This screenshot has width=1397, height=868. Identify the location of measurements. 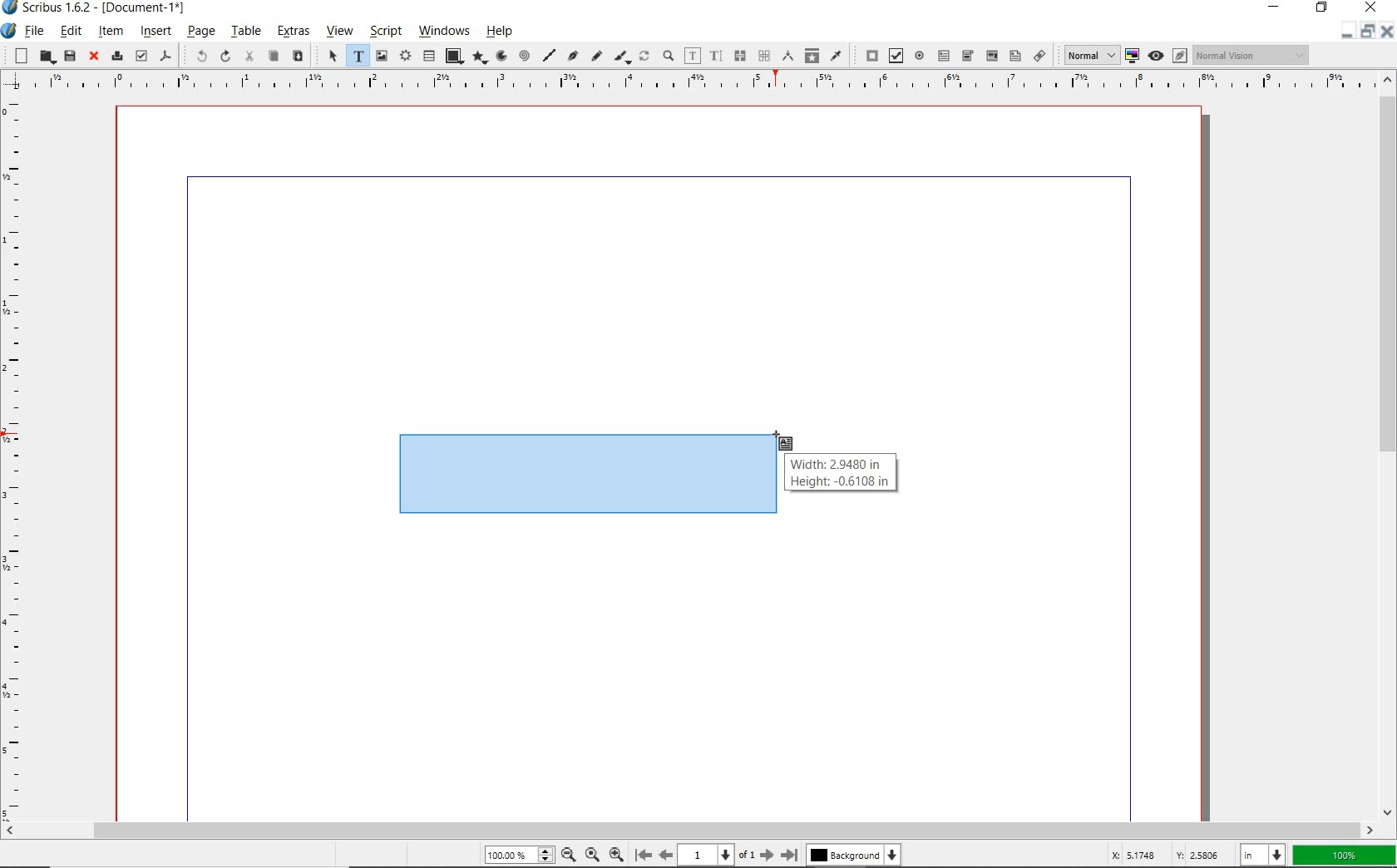
(787, 57).